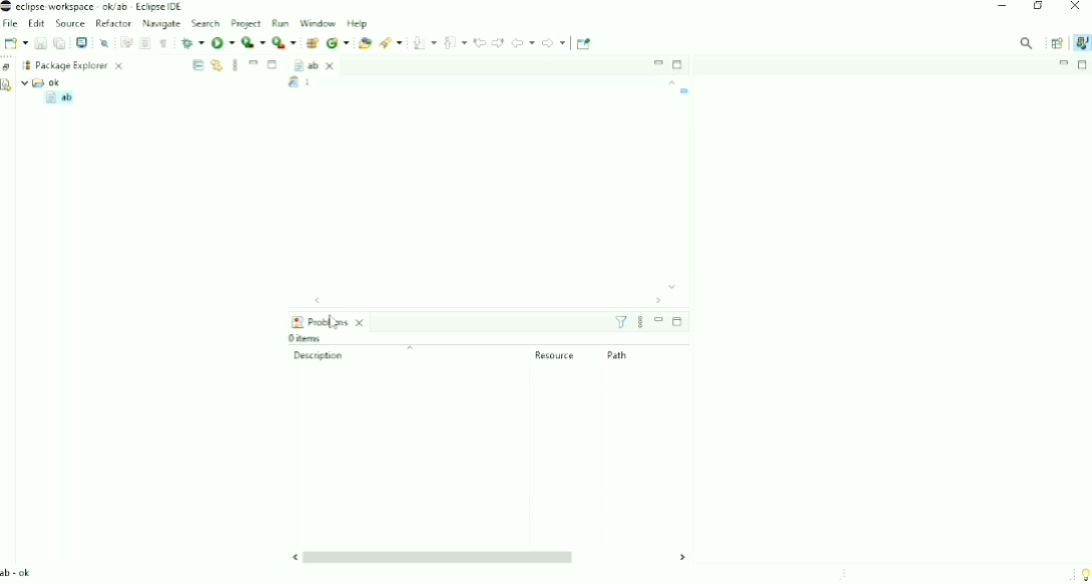 Image resolution: width=1092 pixels, height=584 pixels. I want to click on Run, so click(223, 42).